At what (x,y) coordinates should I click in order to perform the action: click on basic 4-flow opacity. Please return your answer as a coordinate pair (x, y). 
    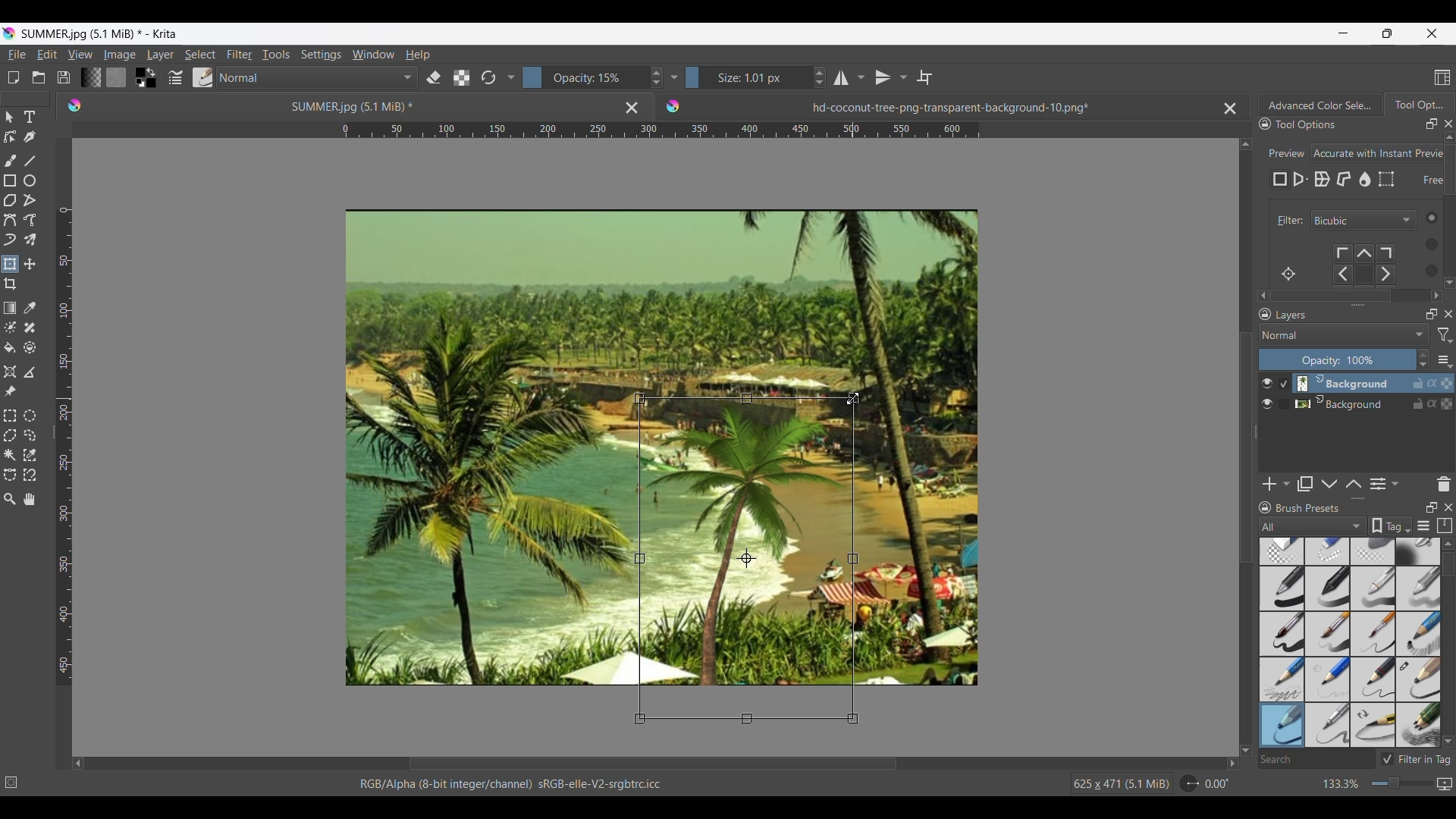
    Looking at the image, I should click on (1417, 588).